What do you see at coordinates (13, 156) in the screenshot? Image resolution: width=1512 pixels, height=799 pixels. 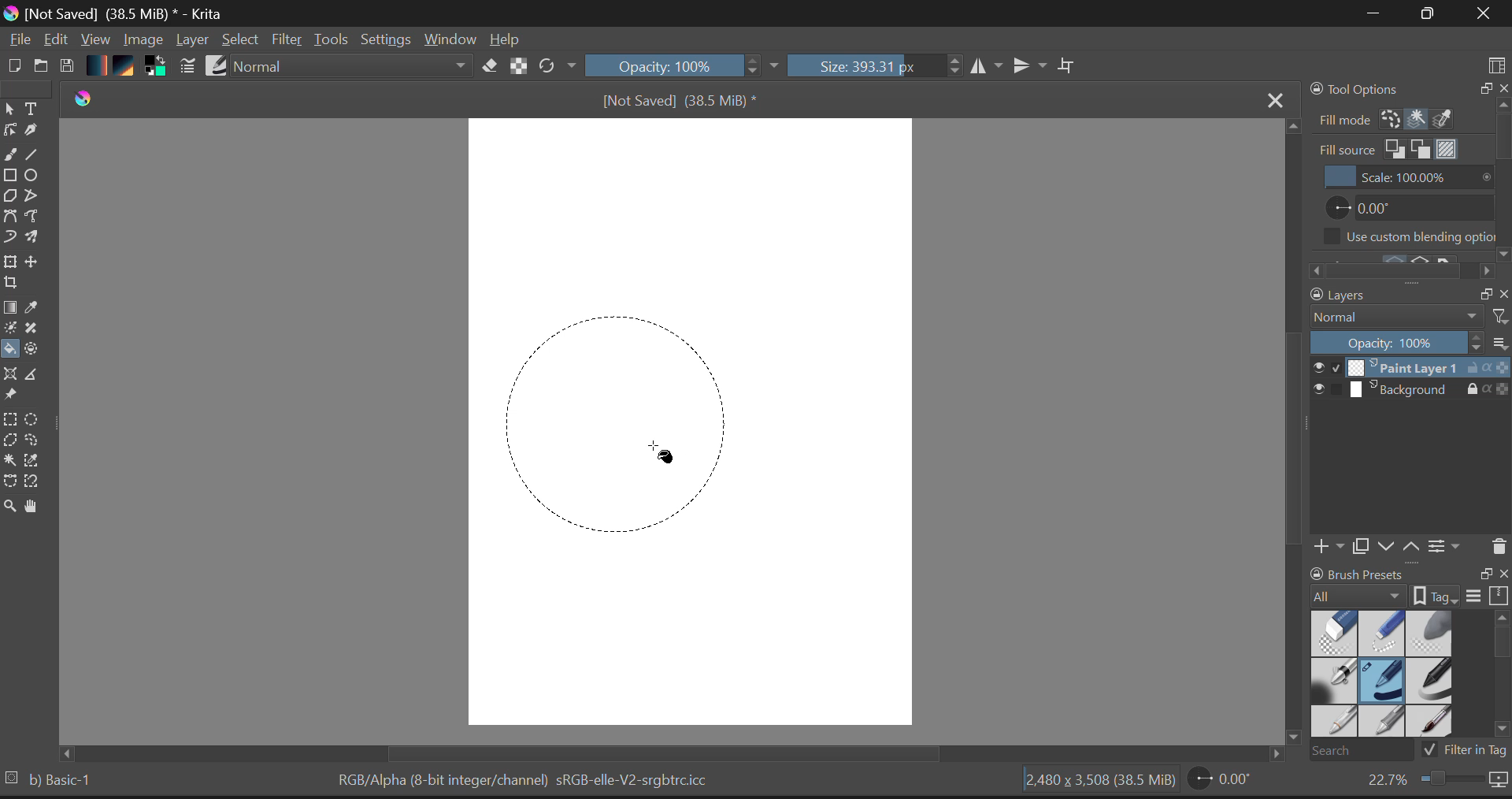 I see `freehand curve` at bounding box center [13, 156].